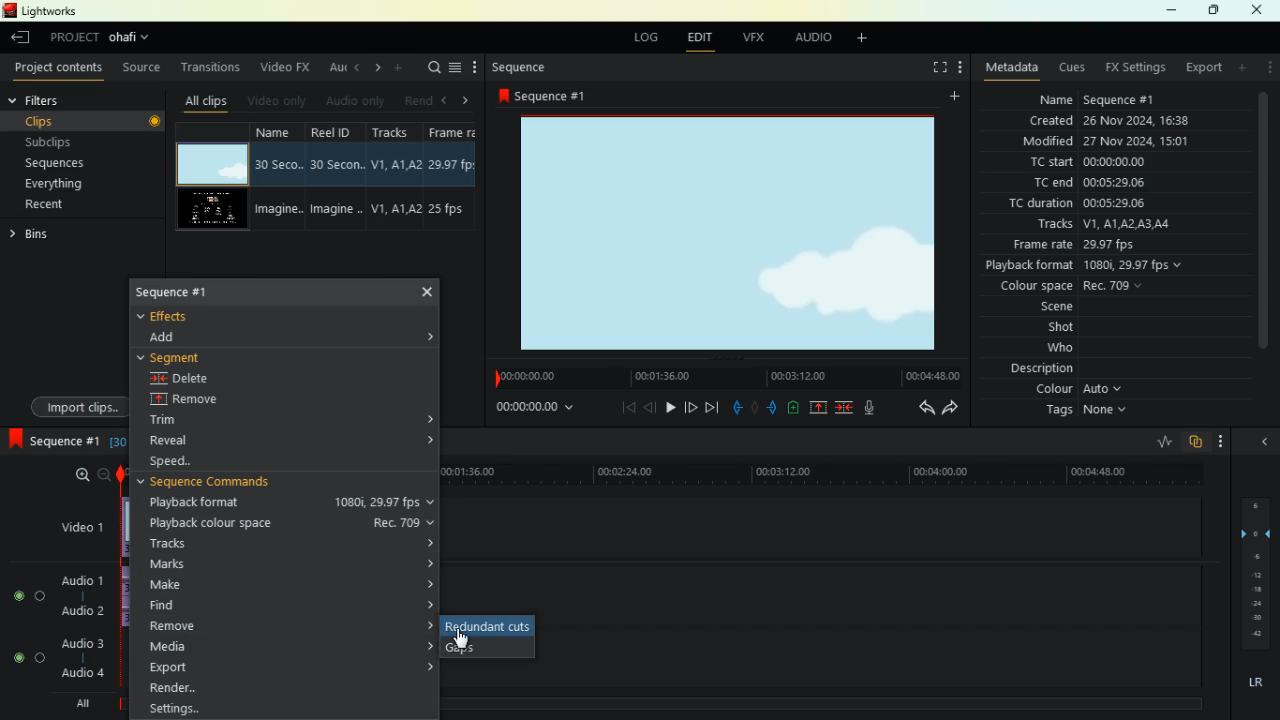 The height and width of the screenshot is (720, 1280). Describe the element at coordinates (933, 68) in the screenshot. I see `fullscreen` at that location.